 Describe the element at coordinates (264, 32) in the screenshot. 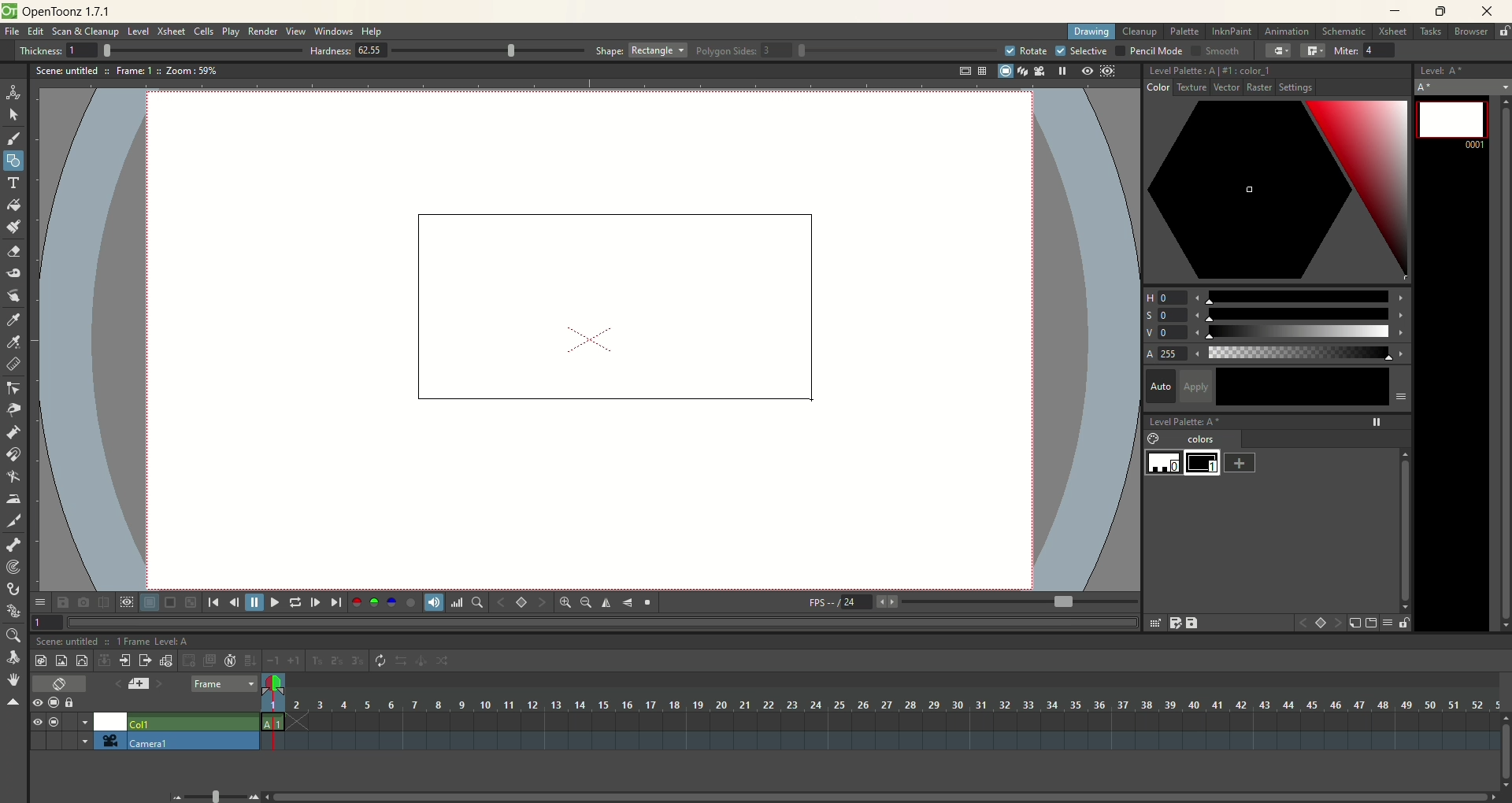

I see `render` at that location.